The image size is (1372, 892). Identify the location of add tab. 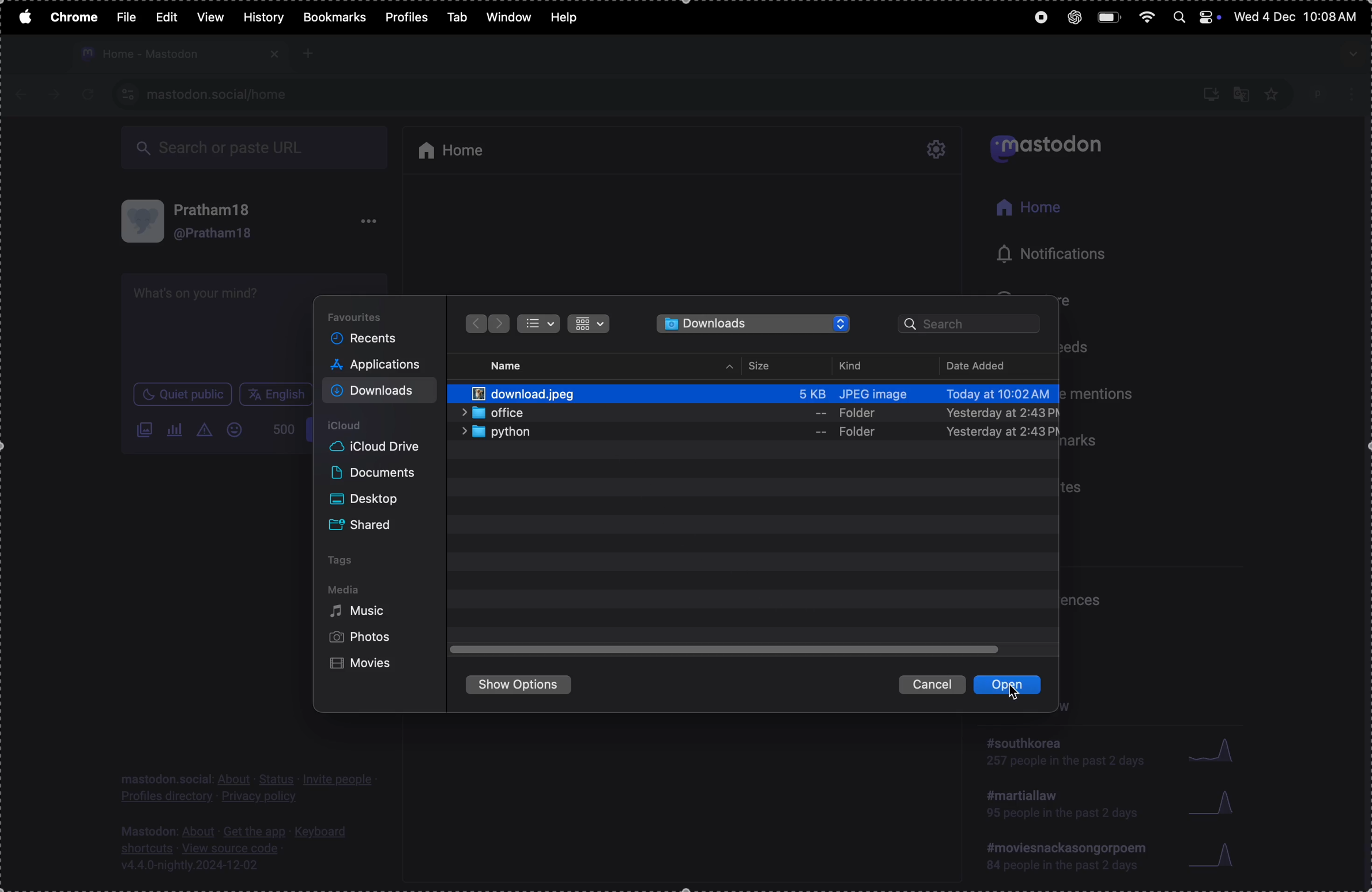
(309, 53).